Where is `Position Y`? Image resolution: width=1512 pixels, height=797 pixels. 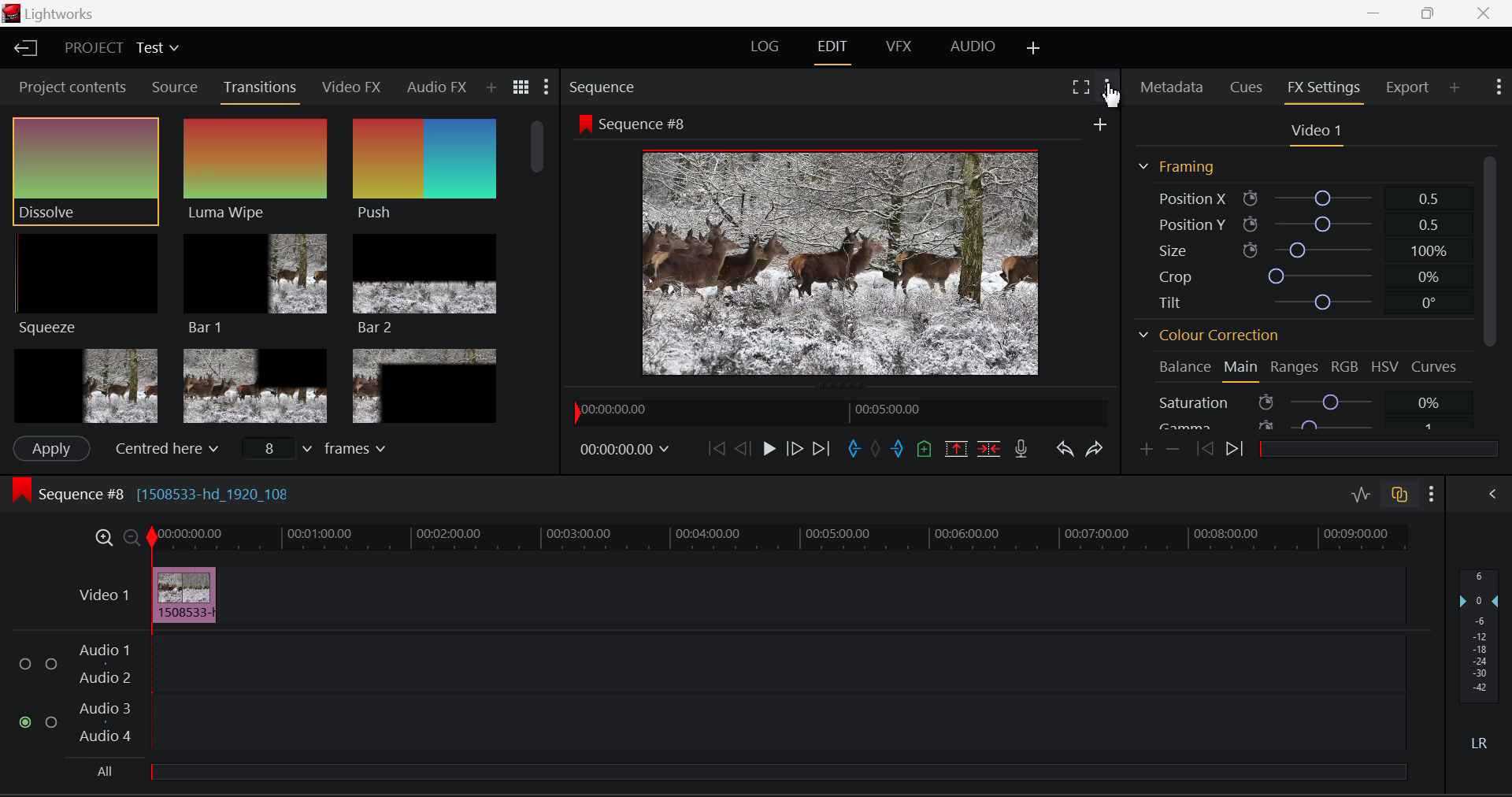 Position Y is located at coordinates (1300, 223).